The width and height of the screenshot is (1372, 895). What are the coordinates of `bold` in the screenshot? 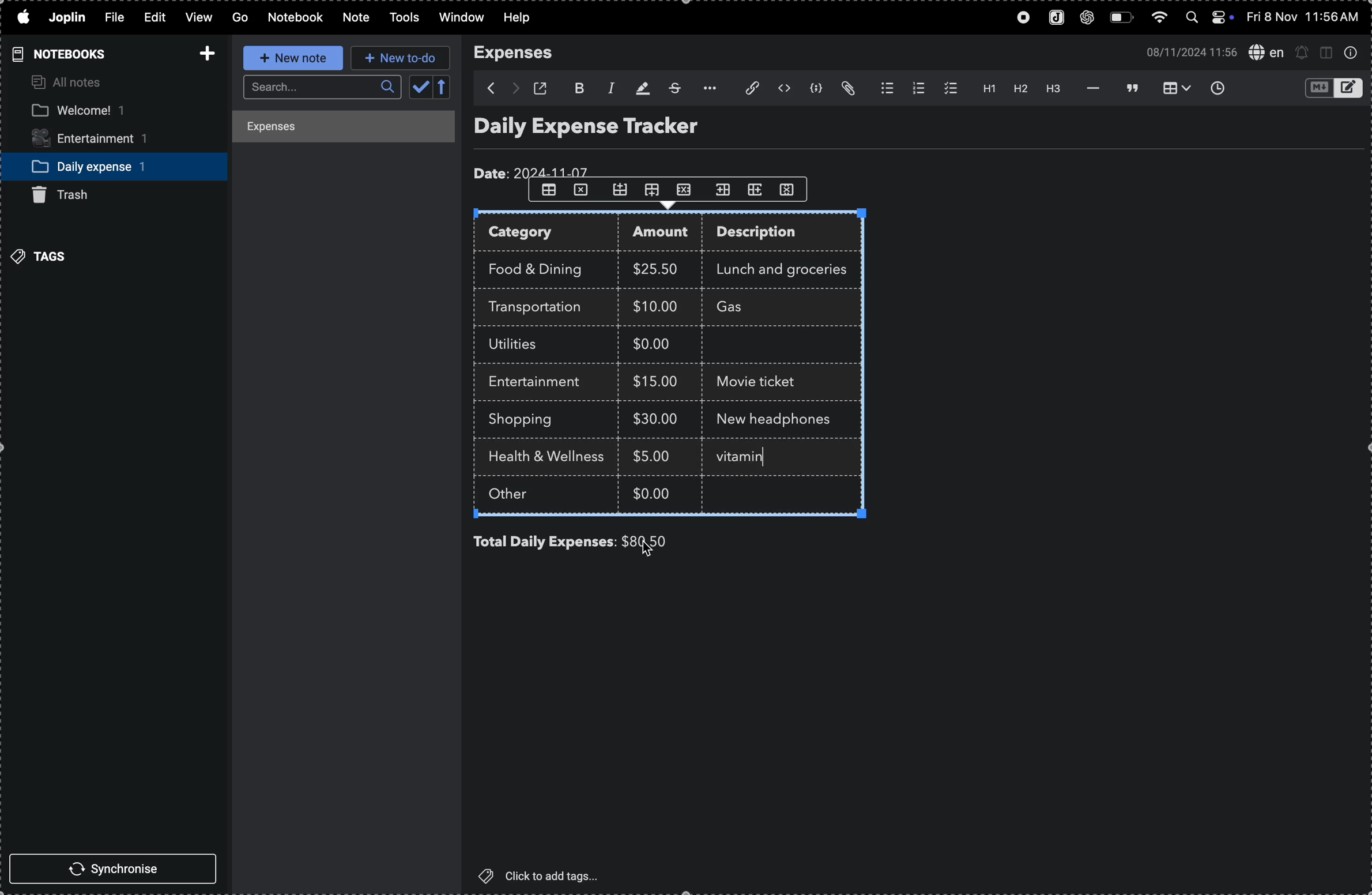 It's located at (578, 87).